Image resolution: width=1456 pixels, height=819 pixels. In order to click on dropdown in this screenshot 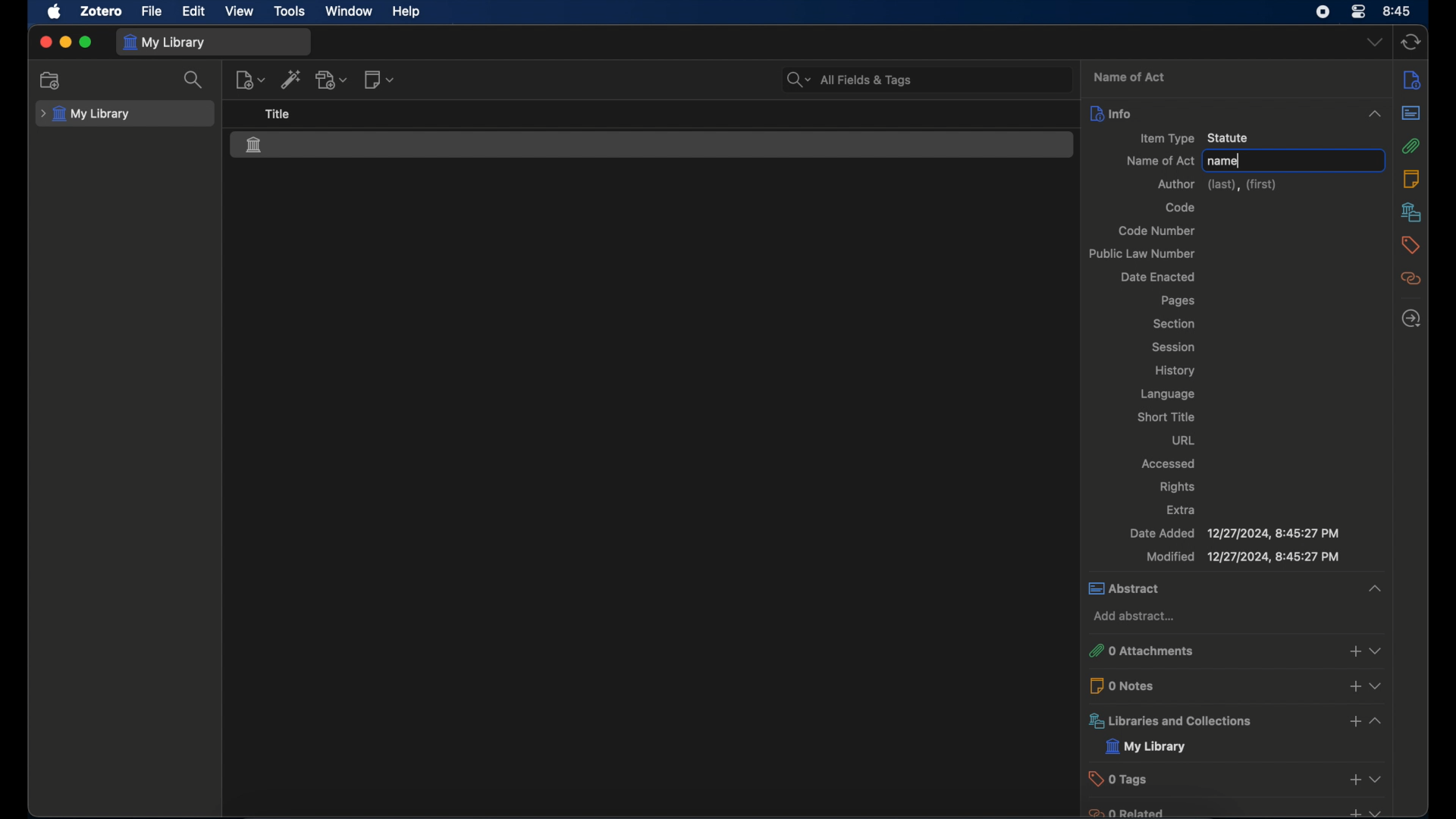, I will do `click(1376, 651)`.